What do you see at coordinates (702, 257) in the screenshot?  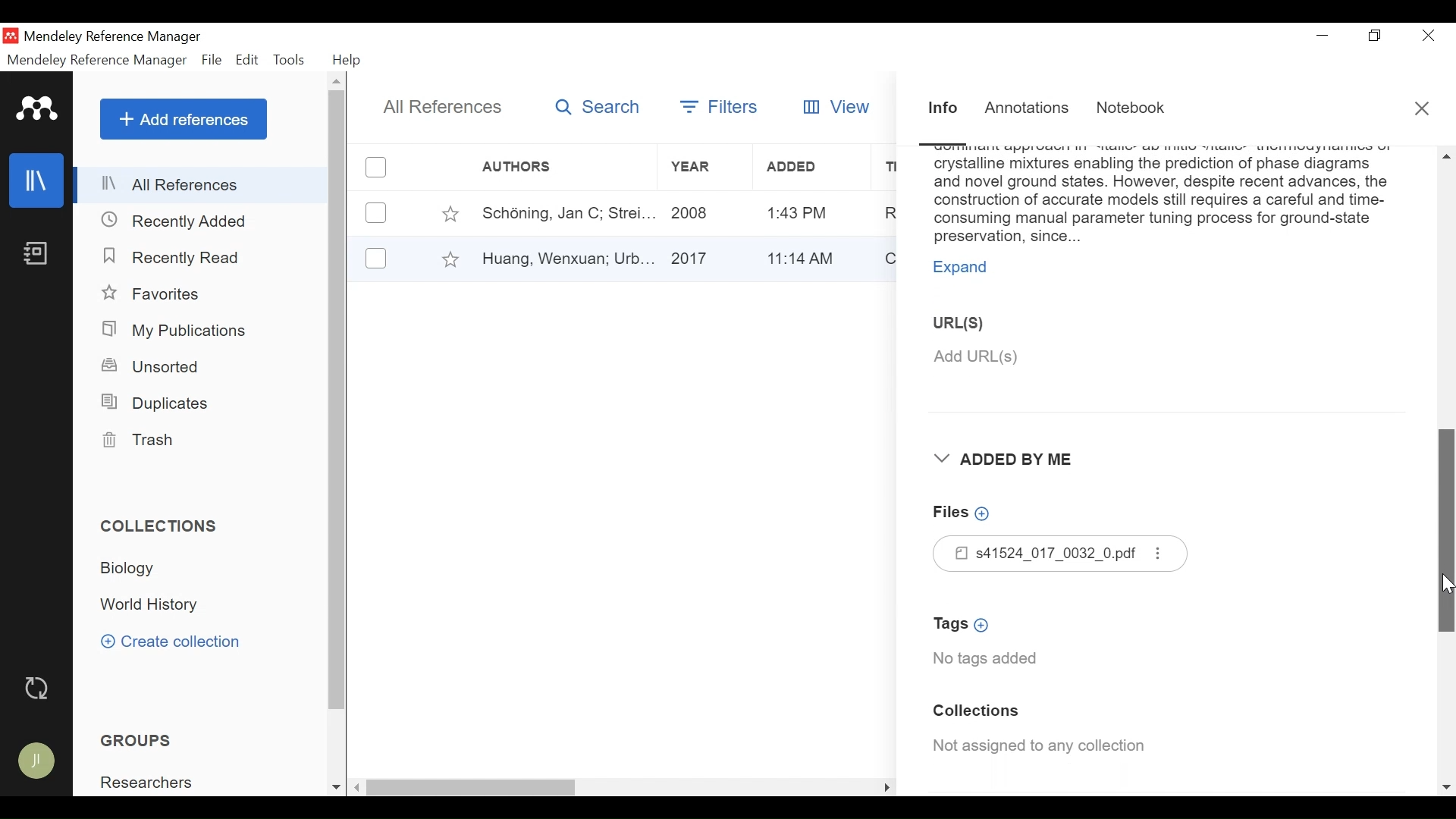 I see `Year` at bounding box center [702, 257].